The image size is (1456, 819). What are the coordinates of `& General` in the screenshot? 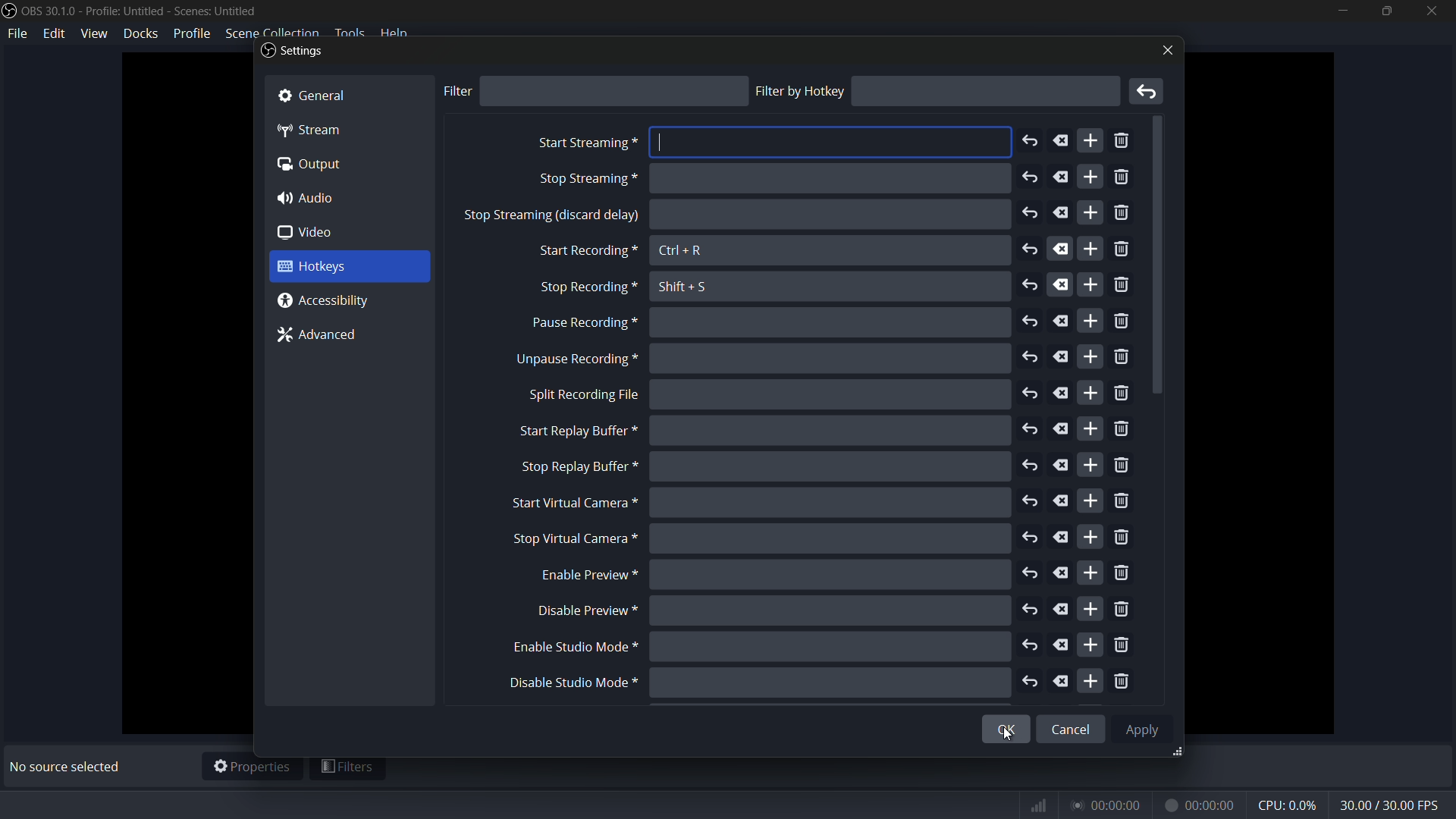 It's located at (327, 93).